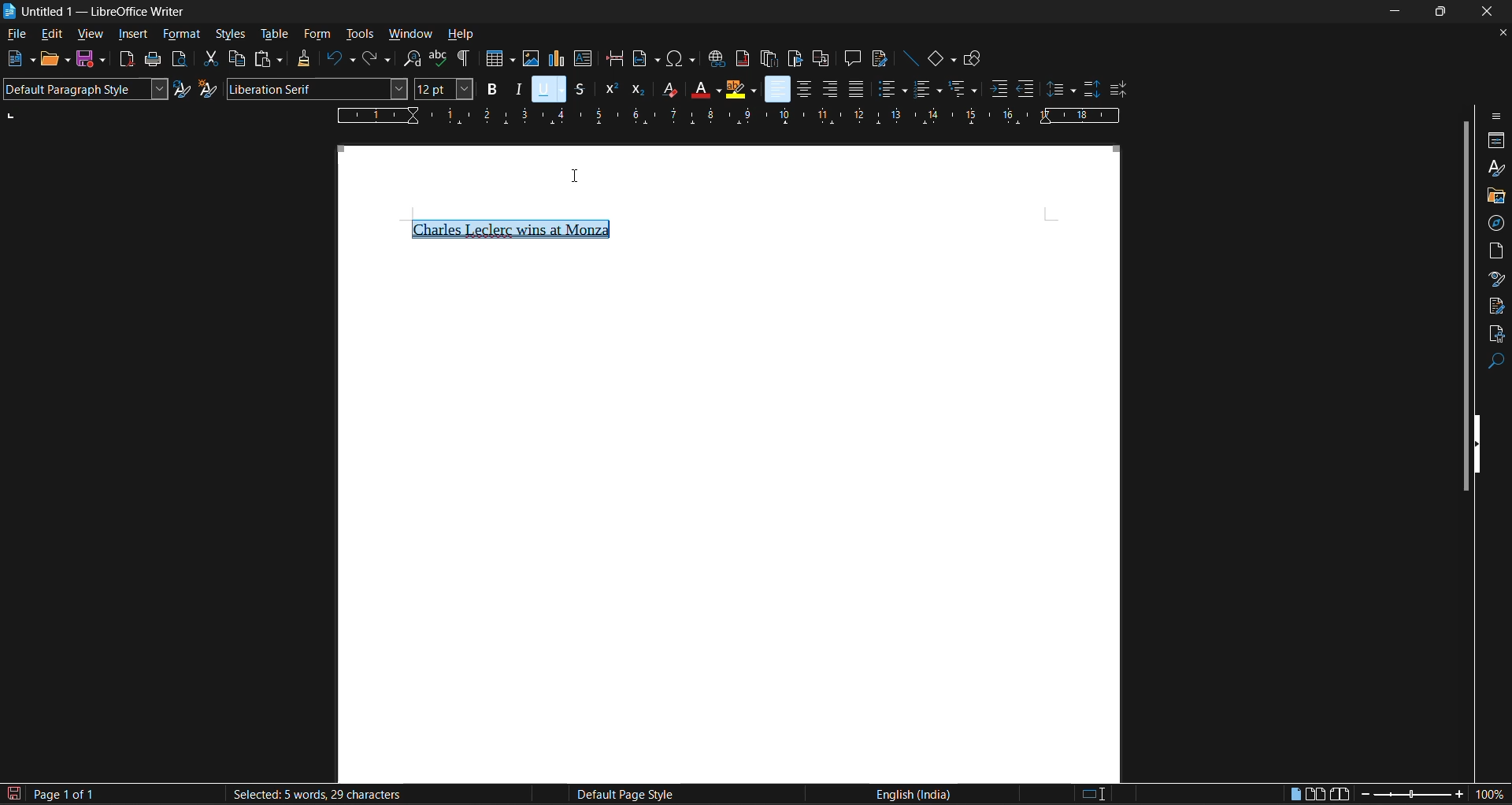 The width and height of the screenshot is (1512, 805). Describe the element at coordinates (129, 60) in the screenshot. I see `export directly as PDF` at that location.